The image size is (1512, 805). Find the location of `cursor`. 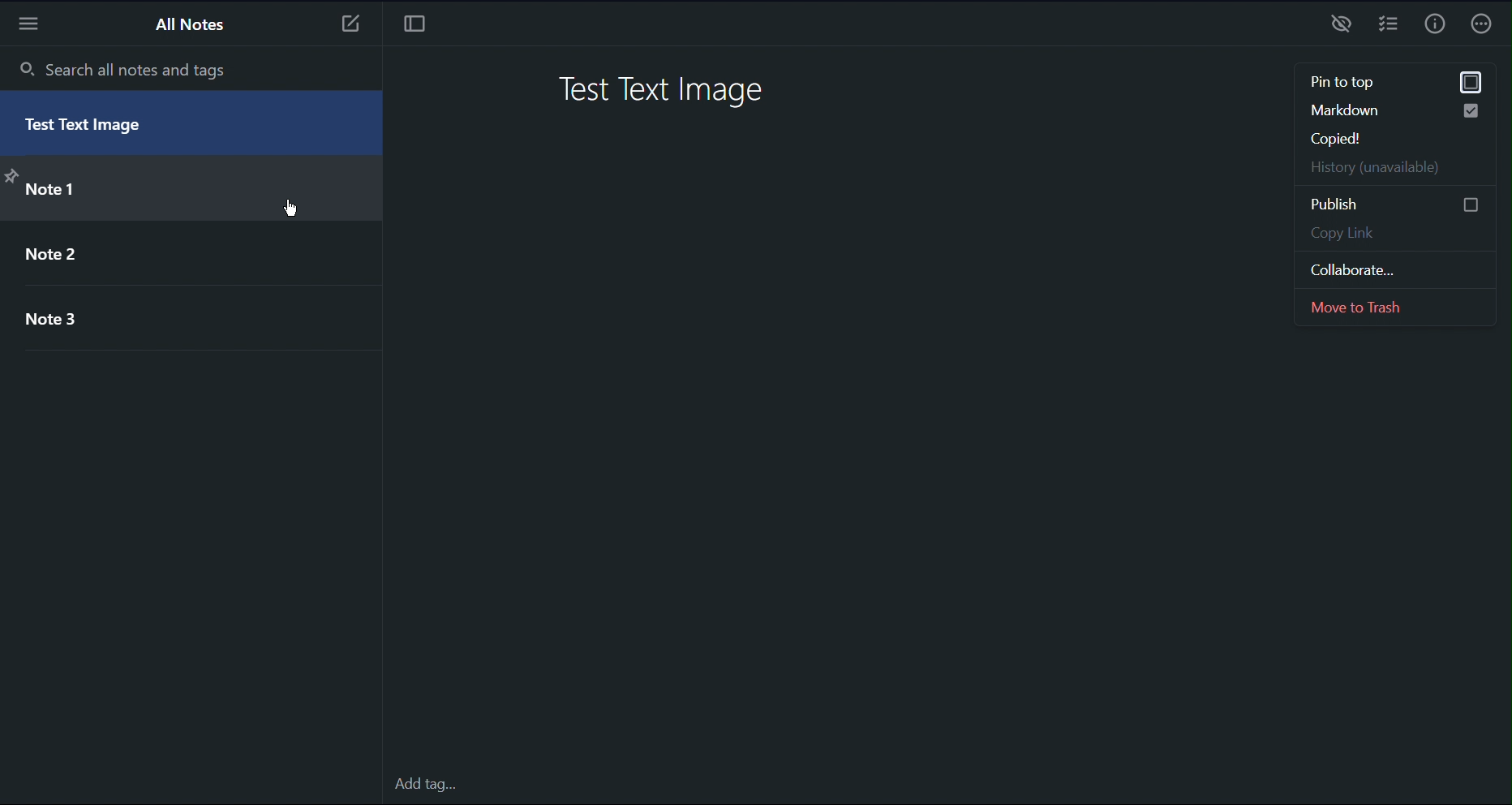

cursor is located at coordinates (295, 206).